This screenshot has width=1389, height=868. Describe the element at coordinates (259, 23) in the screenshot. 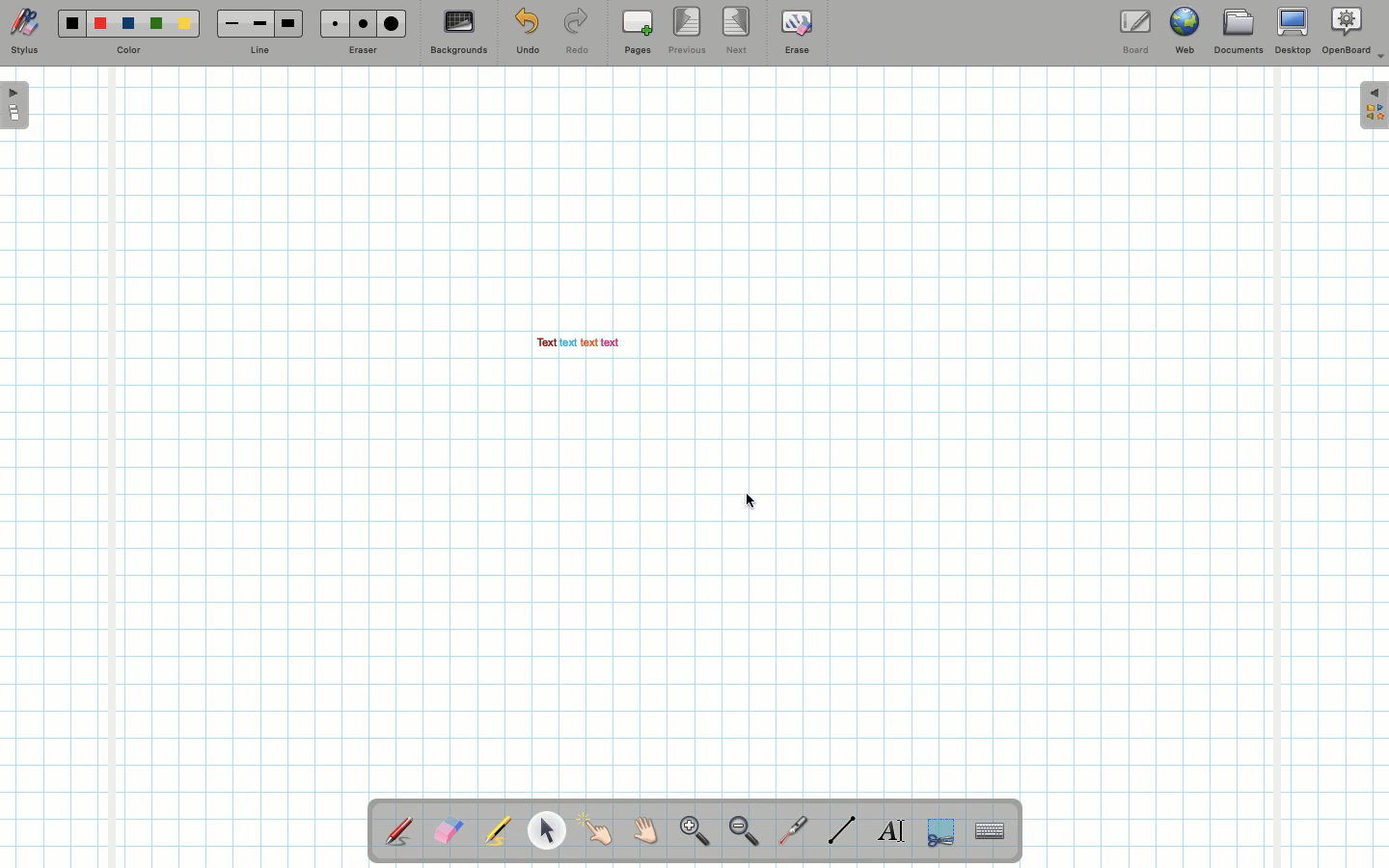

I see `Medium line` at that location.